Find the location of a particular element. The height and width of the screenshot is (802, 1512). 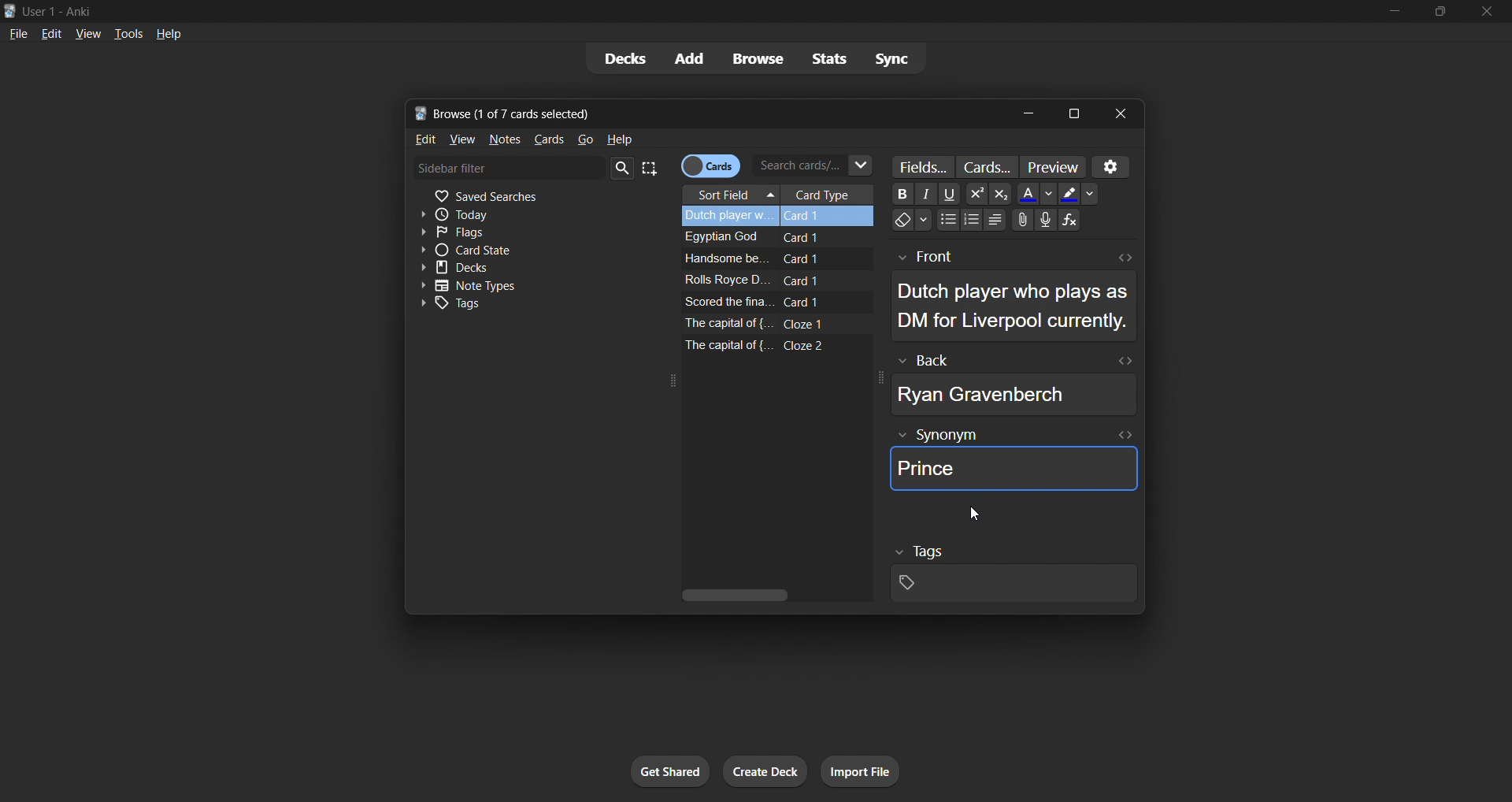

Font Color is located at coordinates (1026, 194).